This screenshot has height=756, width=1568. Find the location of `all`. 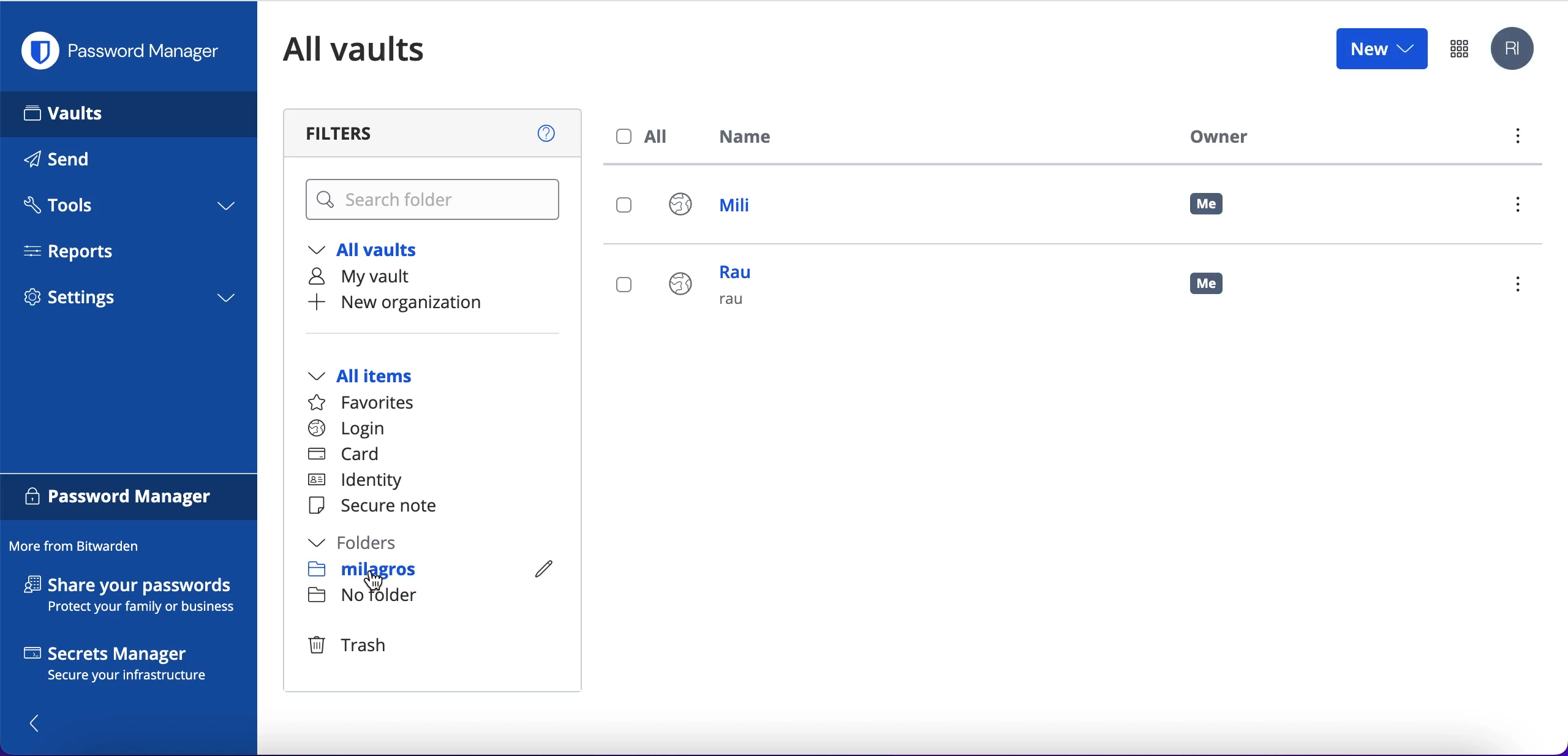

all is located at coordinates (646, 137).